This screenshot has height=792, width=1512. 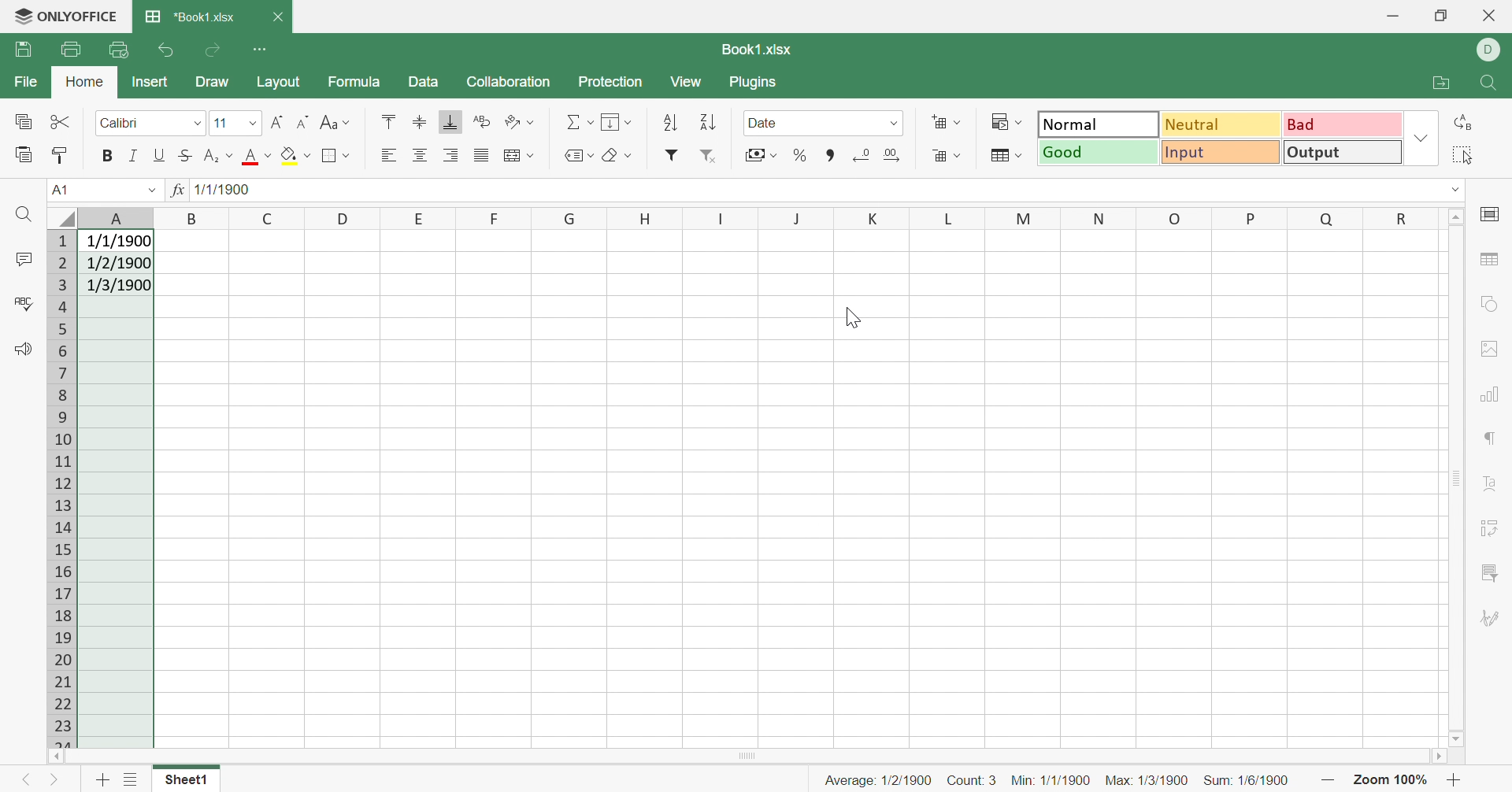 What do you see at coordinates (483, 154) in the screenshot?
I see `Justified` at bounding box center [483, 154].